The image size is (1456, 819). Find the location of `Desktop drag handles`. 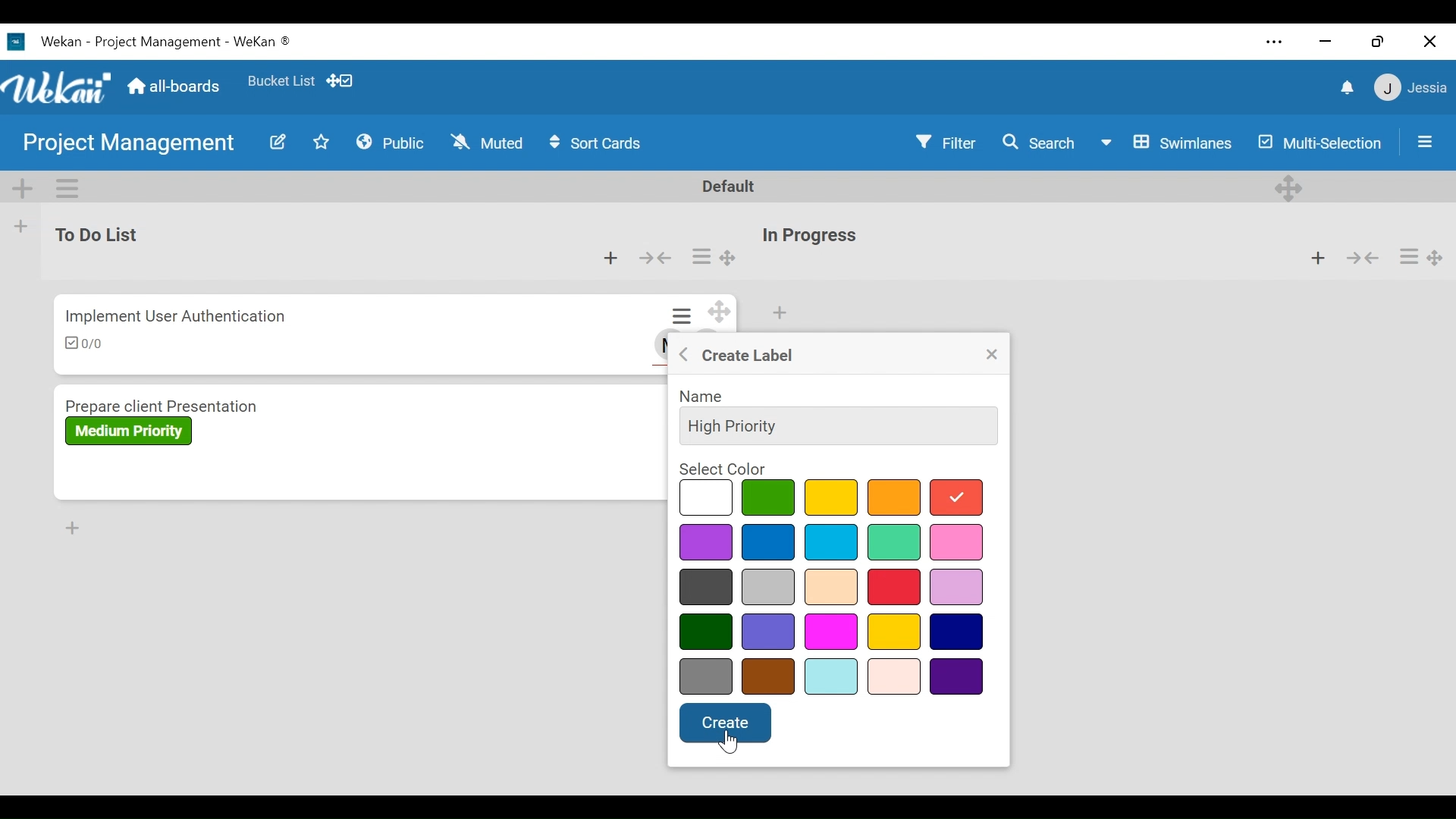

Desktop drag handles is located at coordinates (1439, 257).